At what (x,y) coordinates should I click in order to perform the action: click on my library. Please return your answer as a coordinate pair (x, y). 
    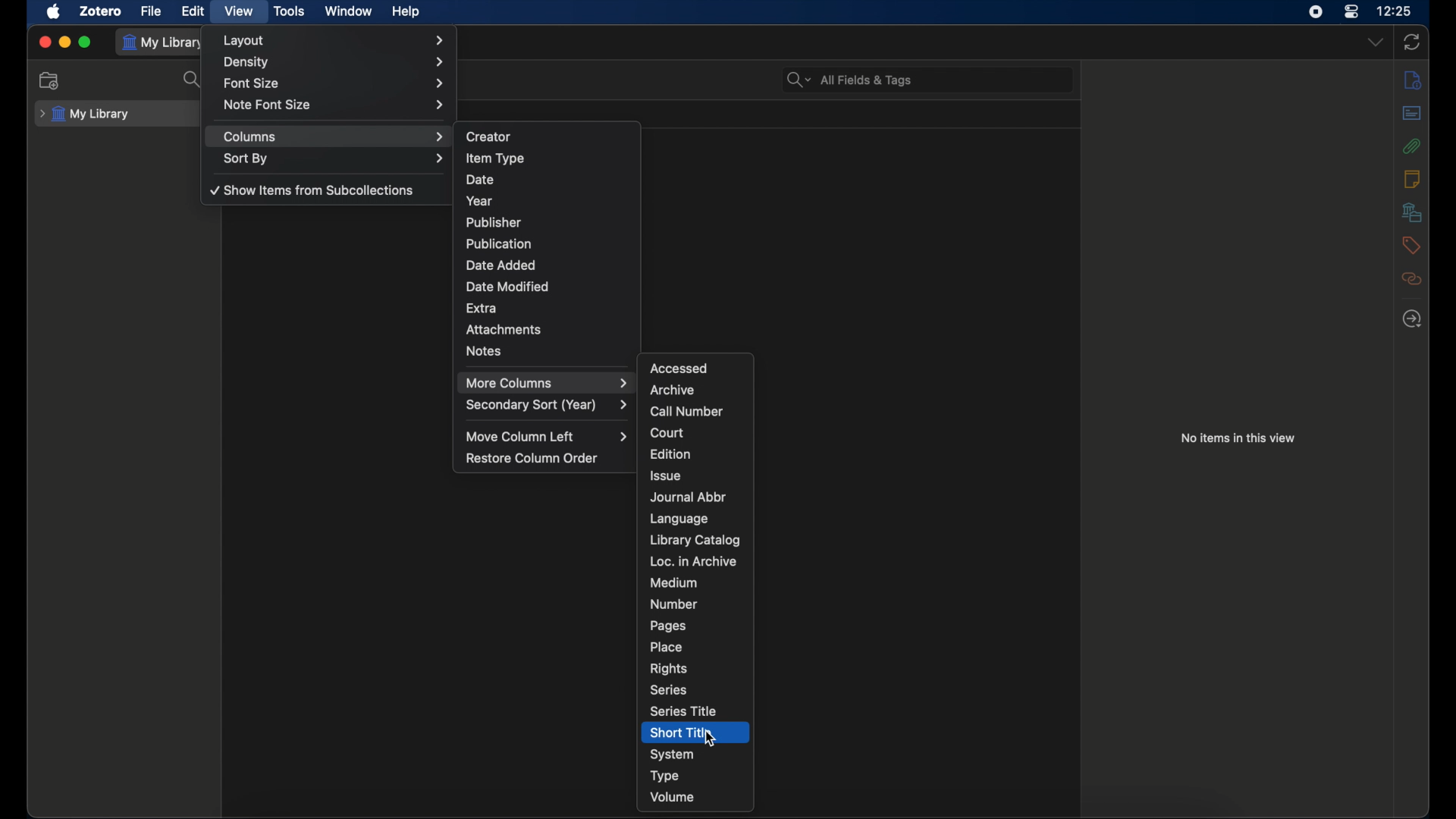
    Looking at the image, I should click on (85, 115).